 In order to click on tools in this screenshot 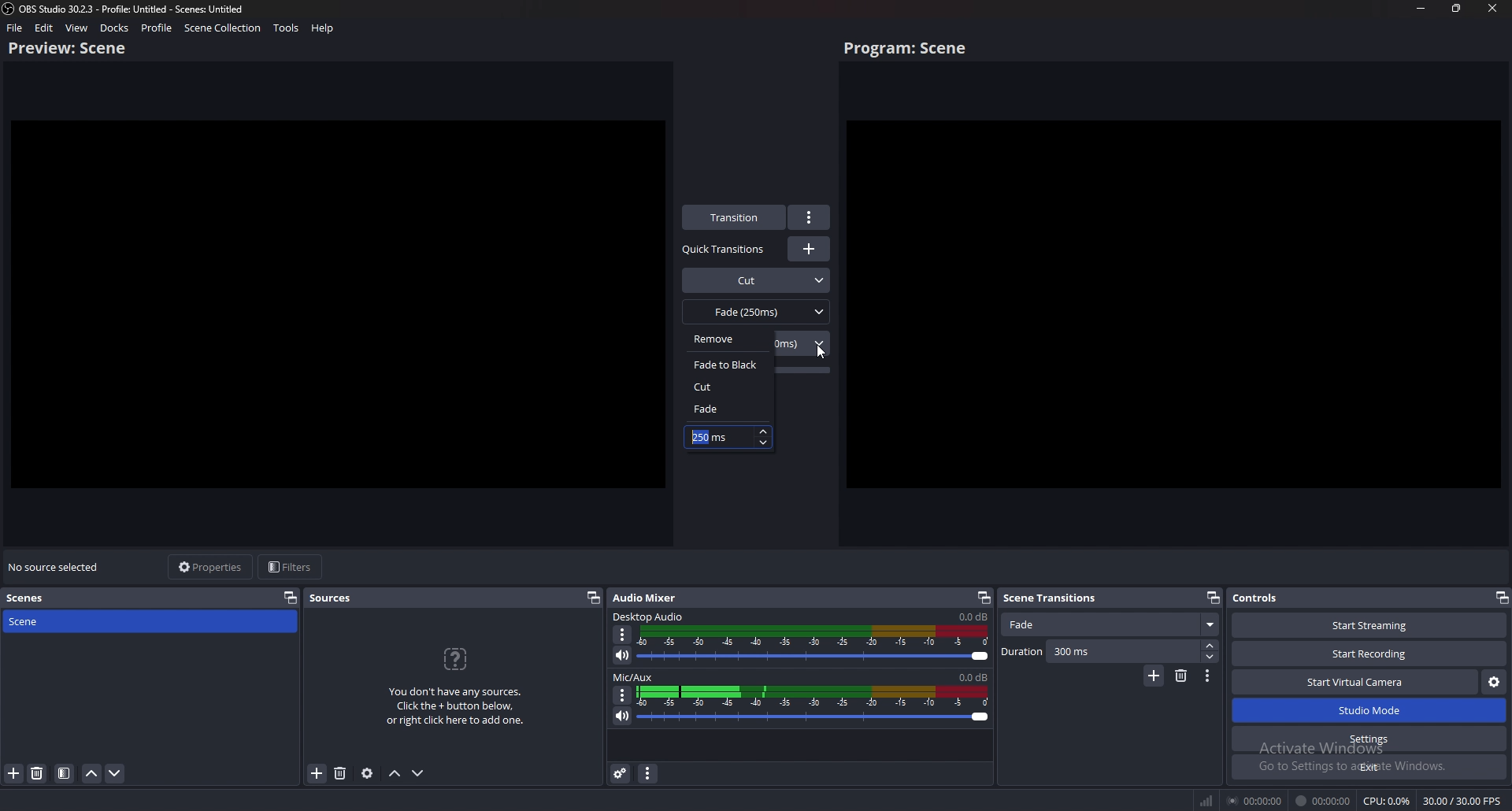, I will do `click(286, 28)`.